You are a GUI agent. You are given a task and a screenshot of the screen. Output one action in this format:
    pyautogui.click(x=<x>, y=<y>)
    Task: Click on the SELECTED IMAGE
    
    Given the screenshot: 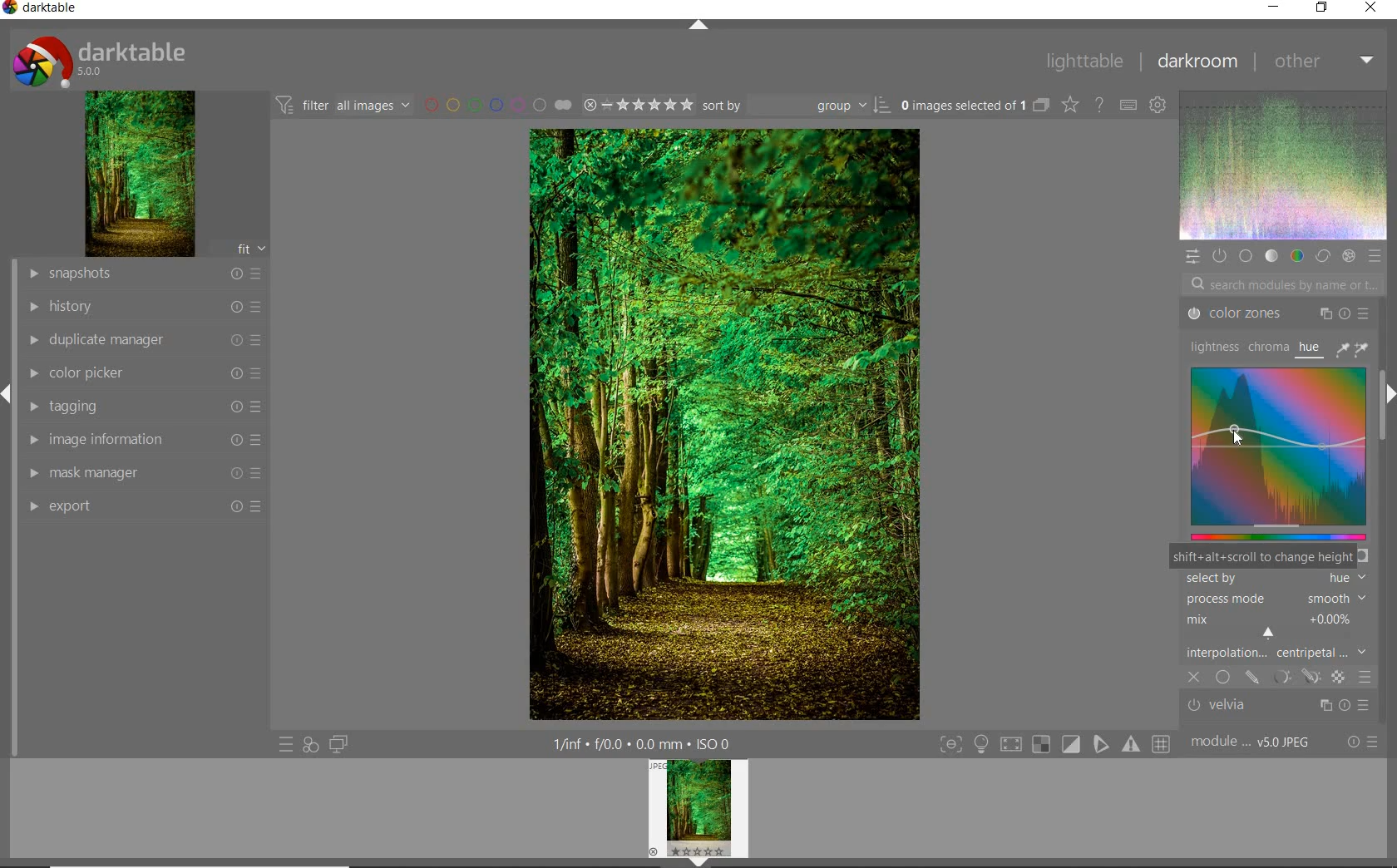 What is the action you would take?
    pyautogui.click(x=962, y=106)
    